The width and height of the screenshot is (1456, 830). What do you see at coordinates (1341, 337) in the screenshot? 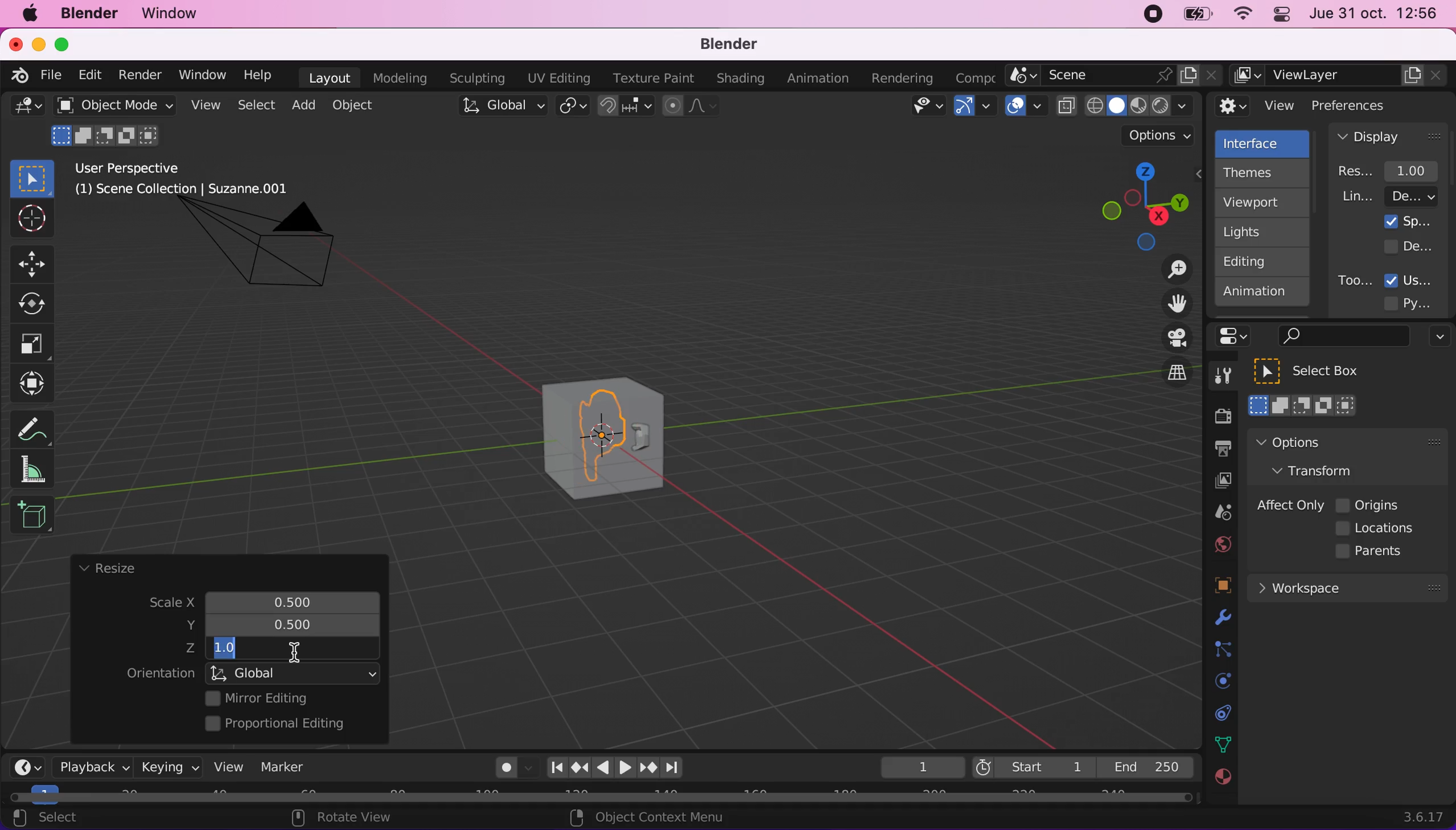
I see `search` at bounding box center [1341, 337].